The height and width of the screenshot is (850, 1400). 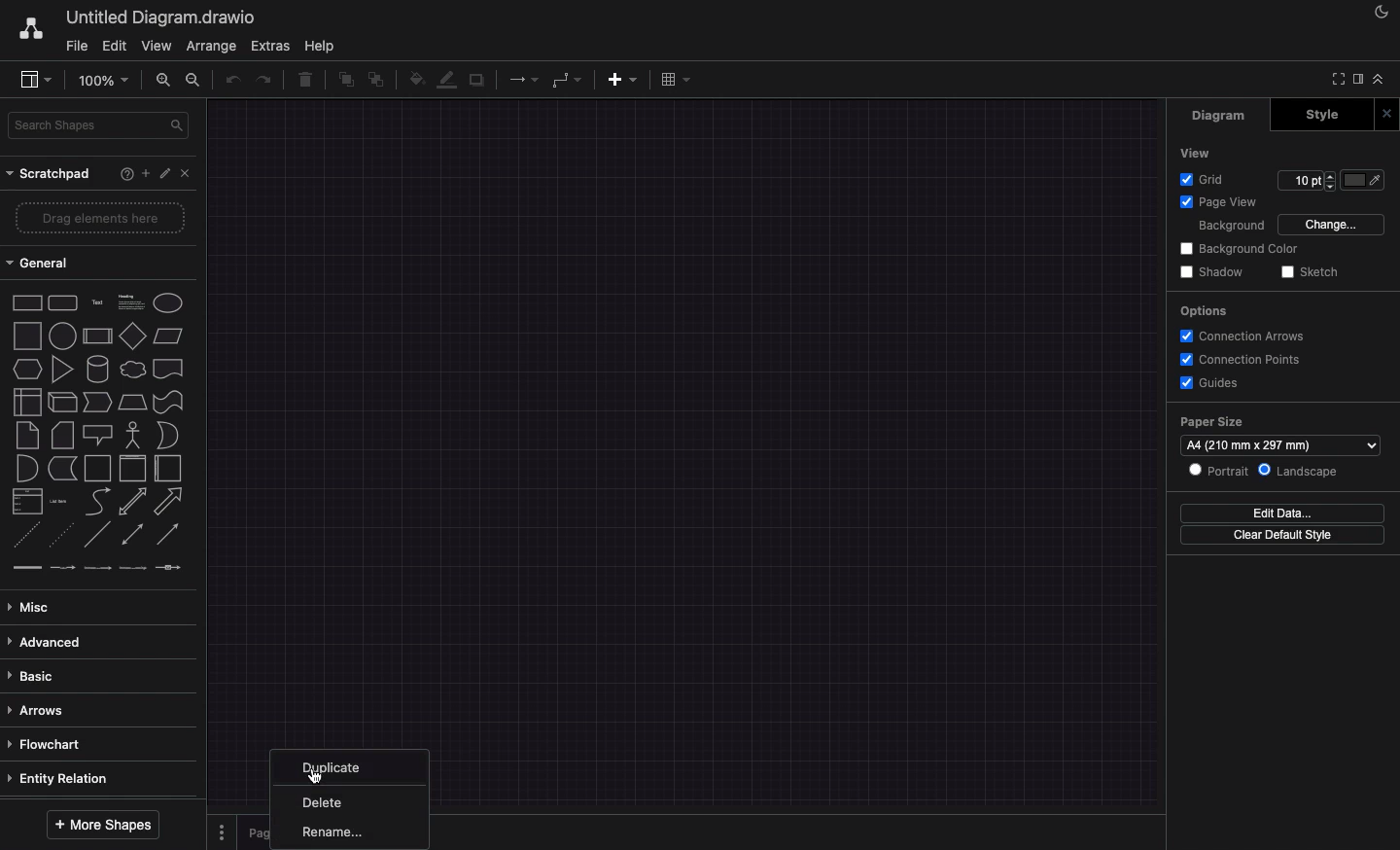 What do you see at coordinates (1214, 271) in the screenshot?
I see `shadow` at bounding box center [1214, 271].